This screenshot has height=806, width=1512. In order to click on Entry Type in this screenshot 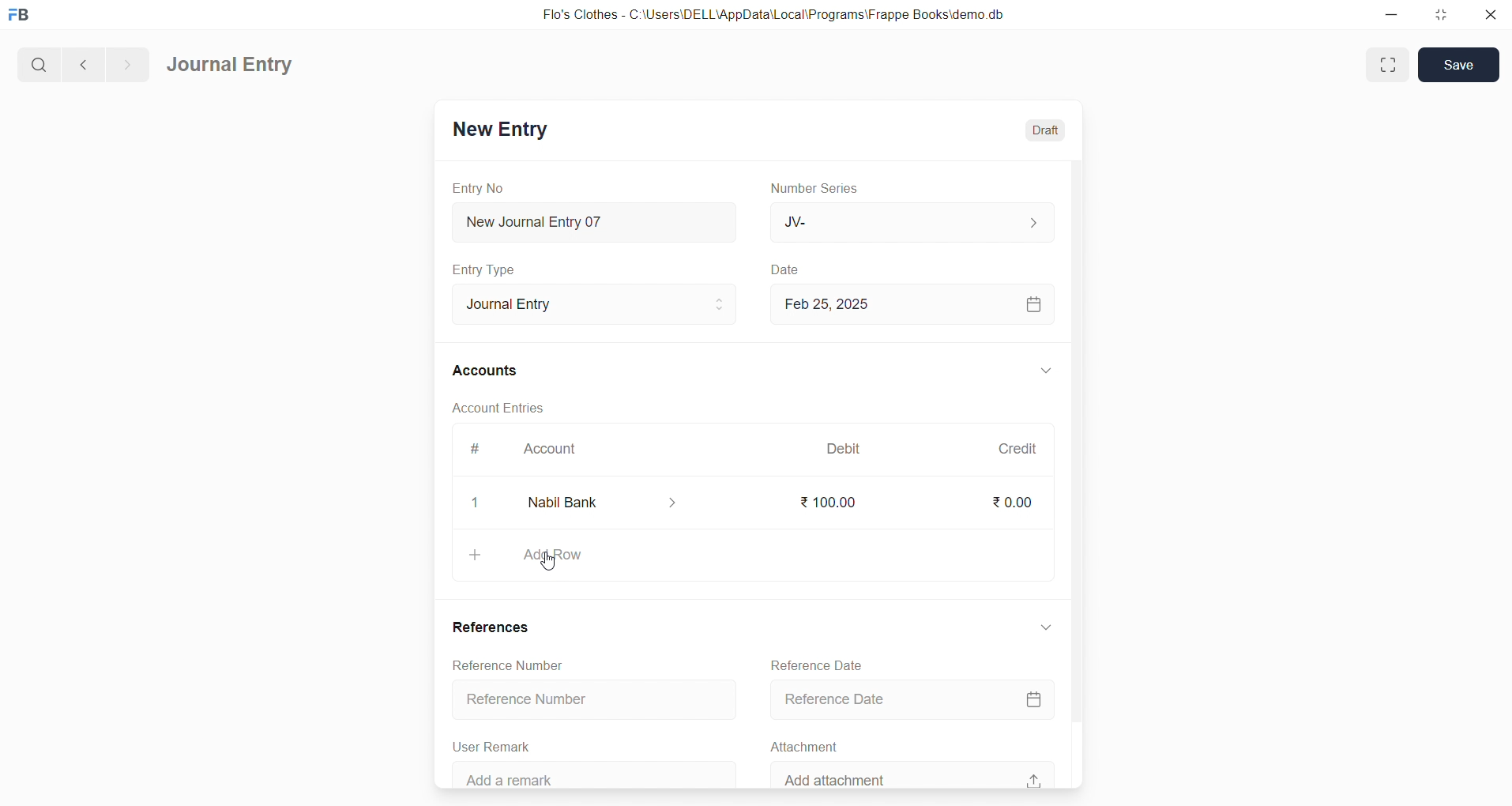, I will do `click(485, 269)`.